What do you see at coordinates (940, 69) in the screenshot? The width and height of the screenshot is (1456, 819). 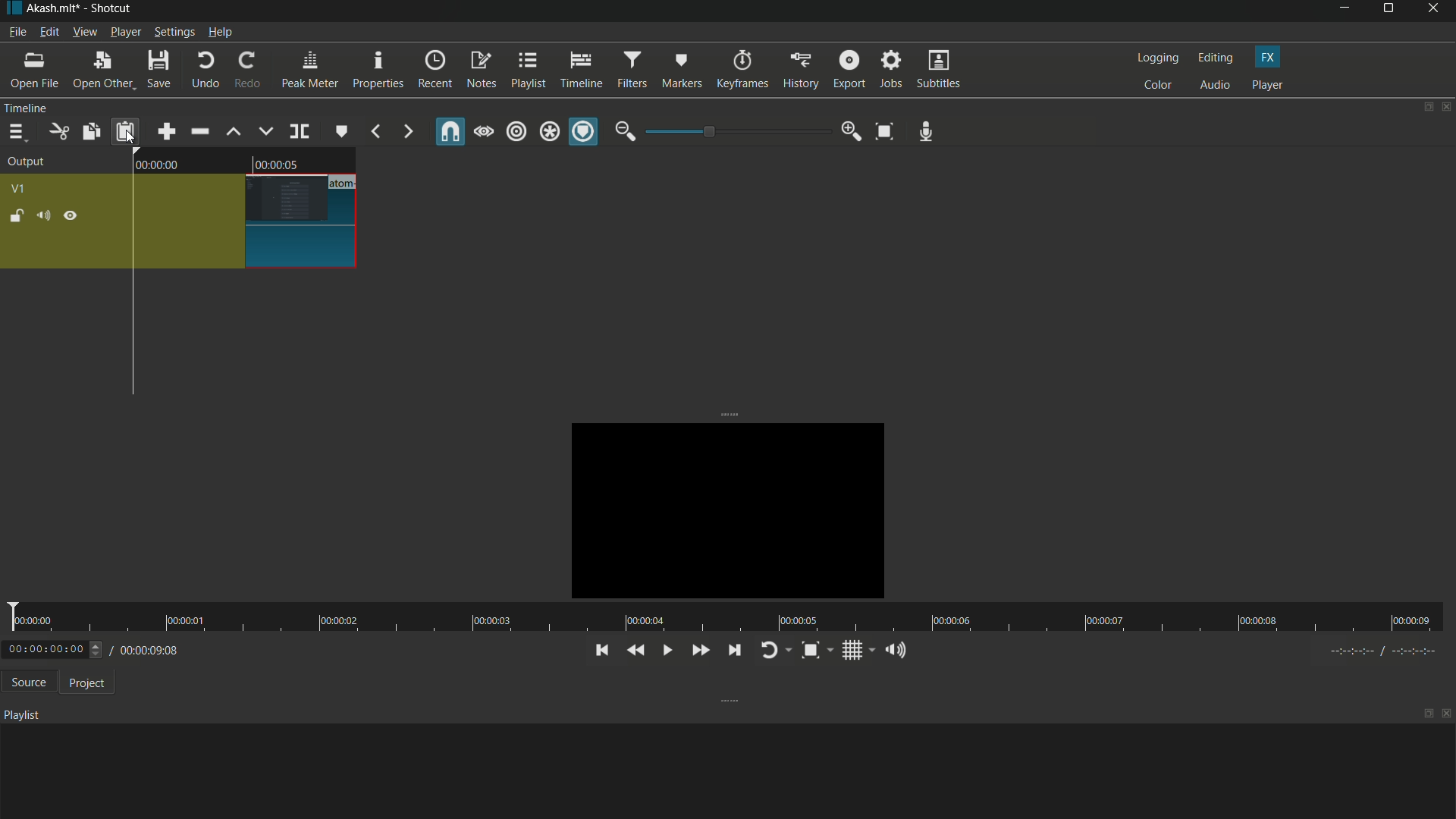 I see `subtitles` at bounding box center [940, 69].